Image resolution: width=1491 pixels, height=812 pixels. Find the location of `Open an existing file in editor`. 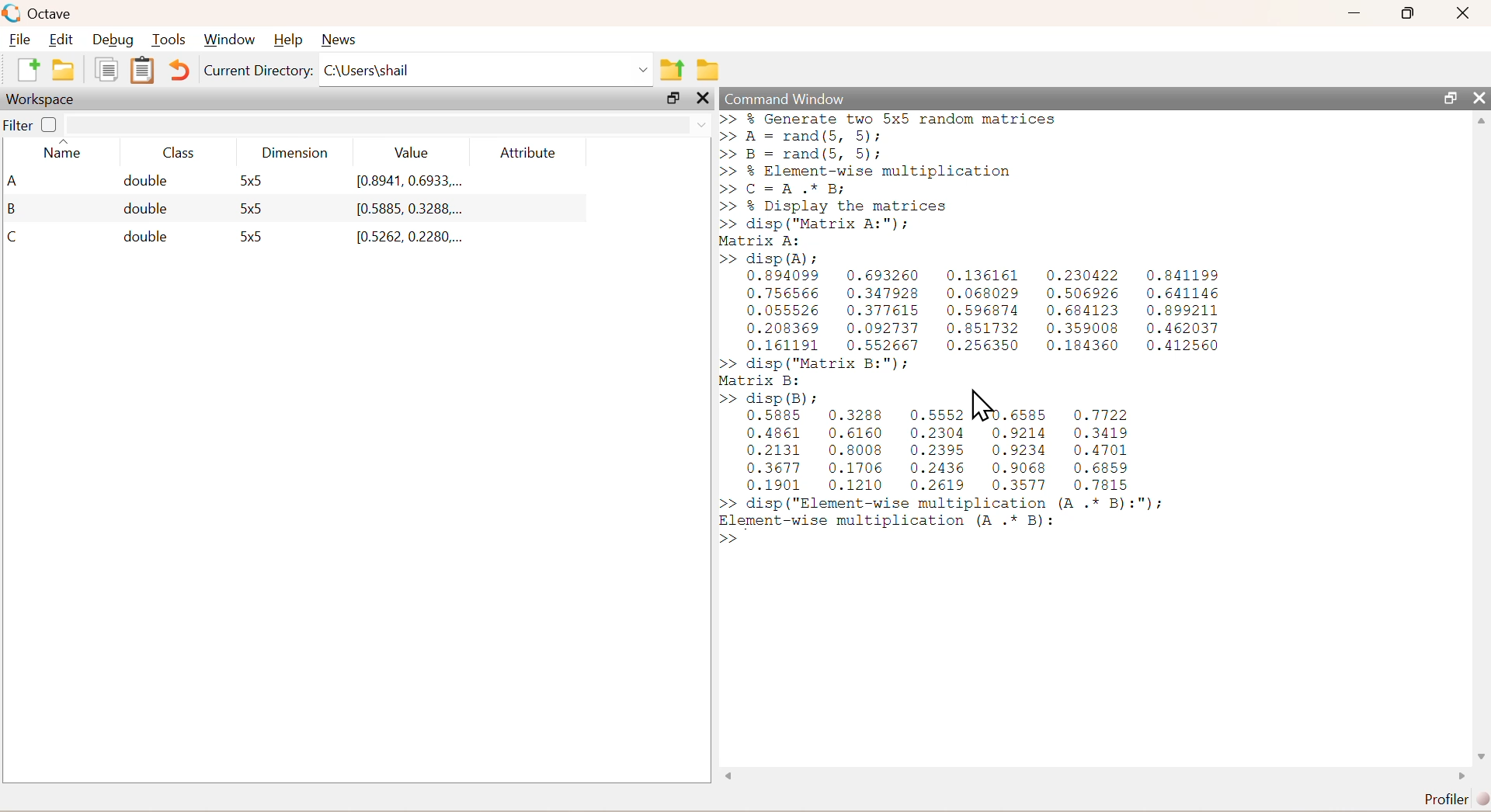

Open an existing file in editor is located at coordinates (65, 72).